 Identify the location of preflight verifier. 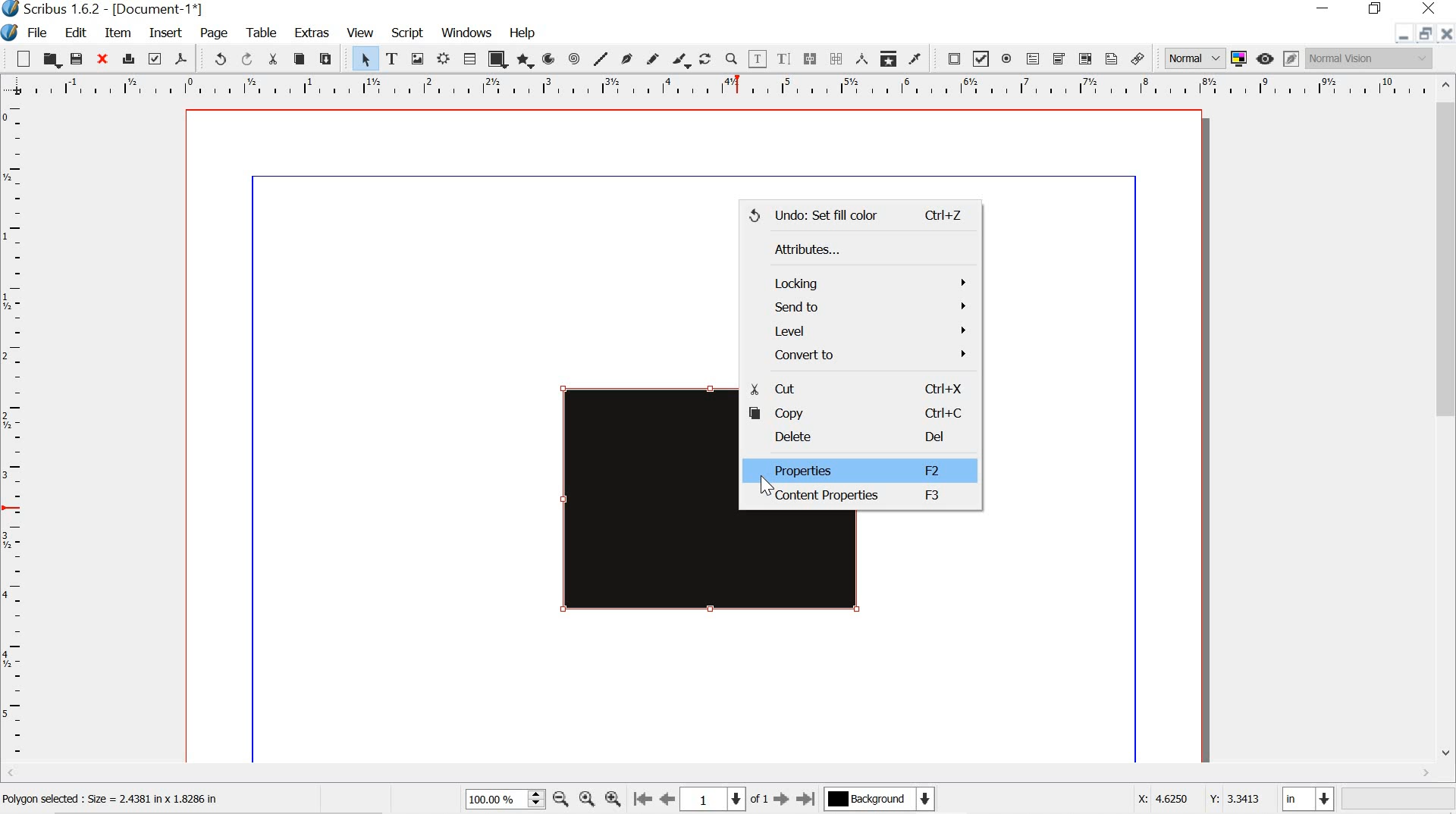
(153, 58).